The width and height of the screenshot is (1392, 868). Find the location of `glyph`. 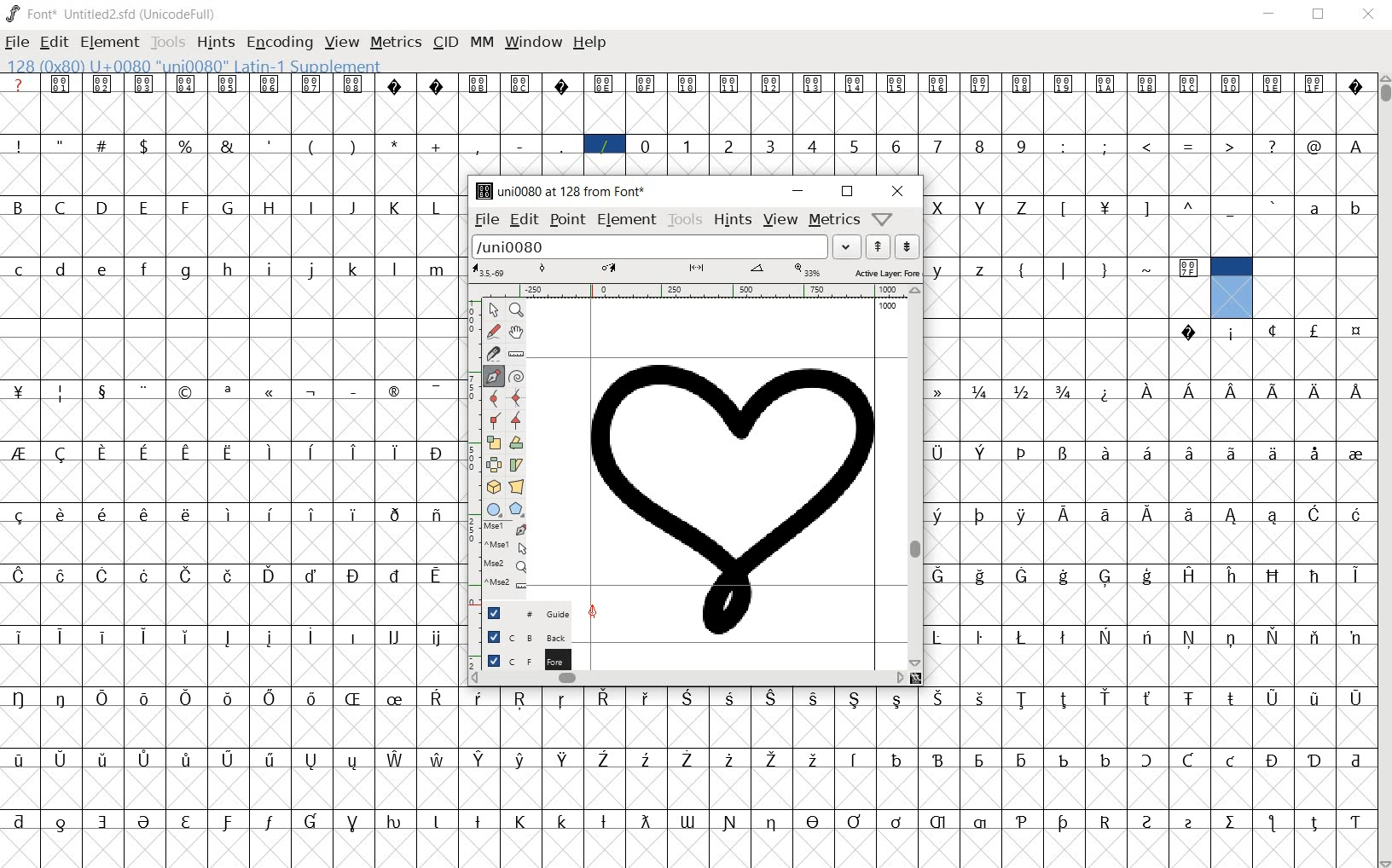

glyph is located at coordinates (1149, 269).